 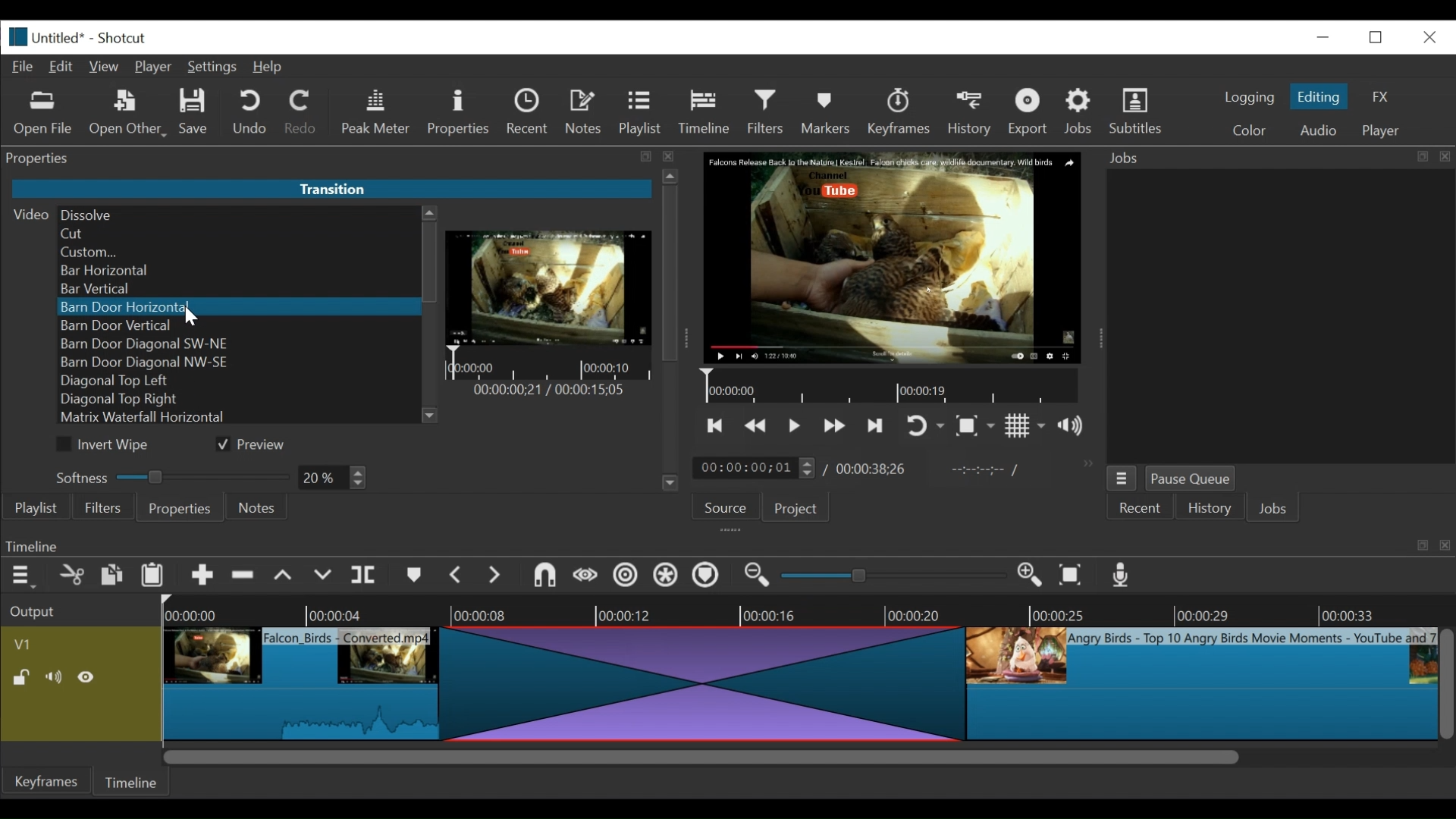 I want to click on Shotcut, so click(x=121, y=39).